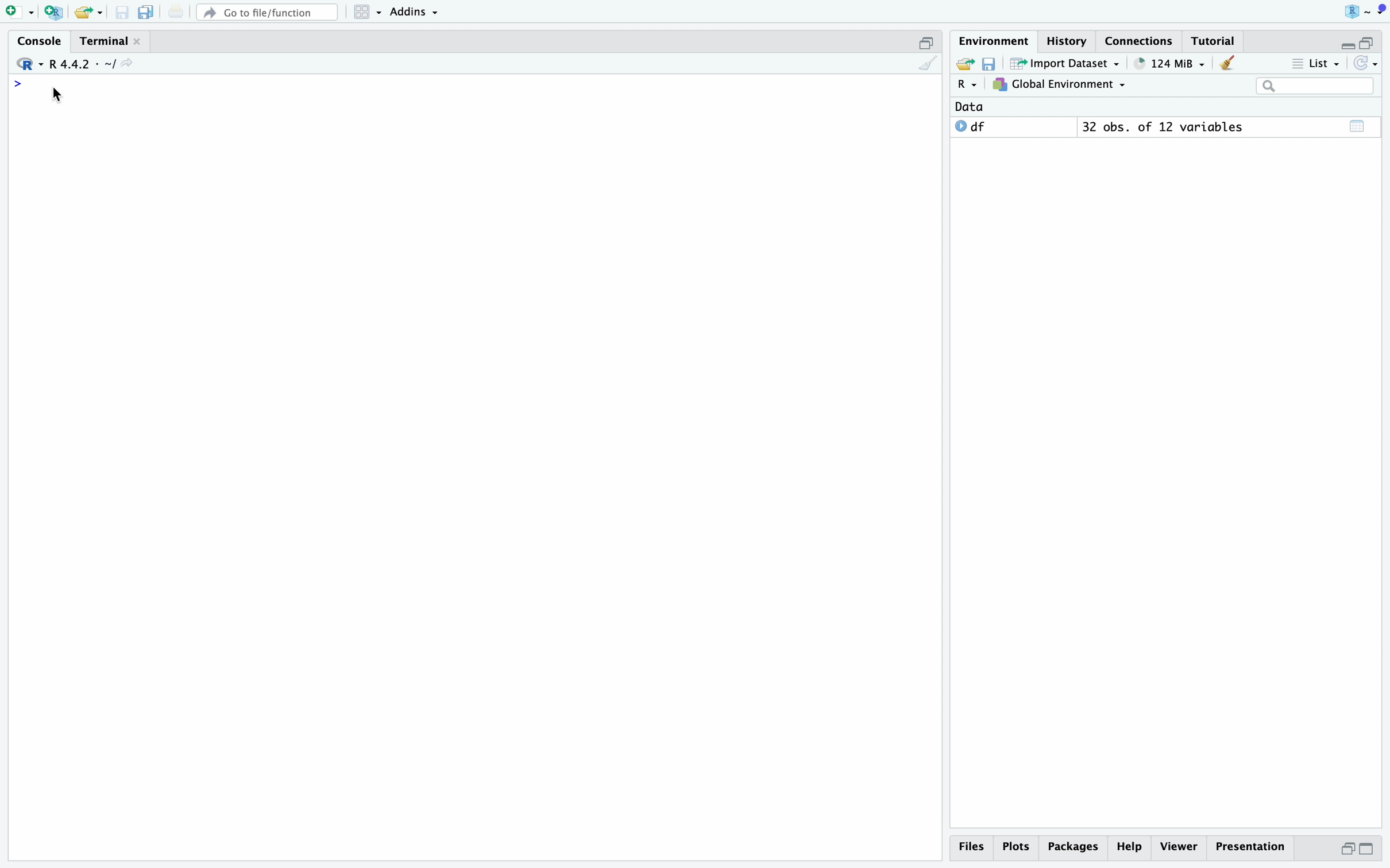 This screenshot has width=1390, height=868. Describe the element at coordinates (1164, 127) in the screenshot. I see `32 obs. of 12 variables` at that location.